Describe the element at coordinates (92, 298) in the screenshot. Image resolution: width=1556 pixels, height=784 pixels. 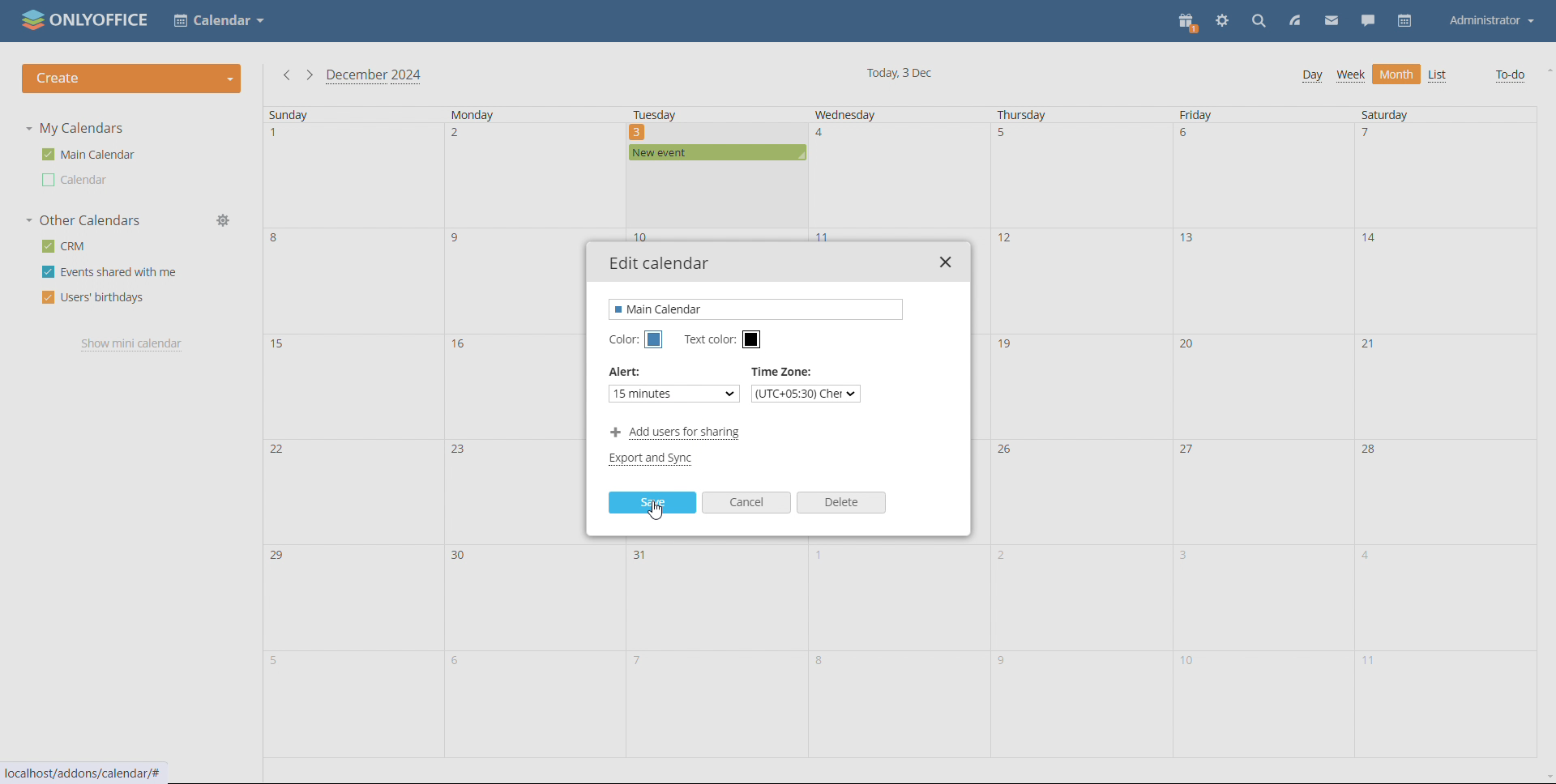
I see `users' birthdays` at that location.